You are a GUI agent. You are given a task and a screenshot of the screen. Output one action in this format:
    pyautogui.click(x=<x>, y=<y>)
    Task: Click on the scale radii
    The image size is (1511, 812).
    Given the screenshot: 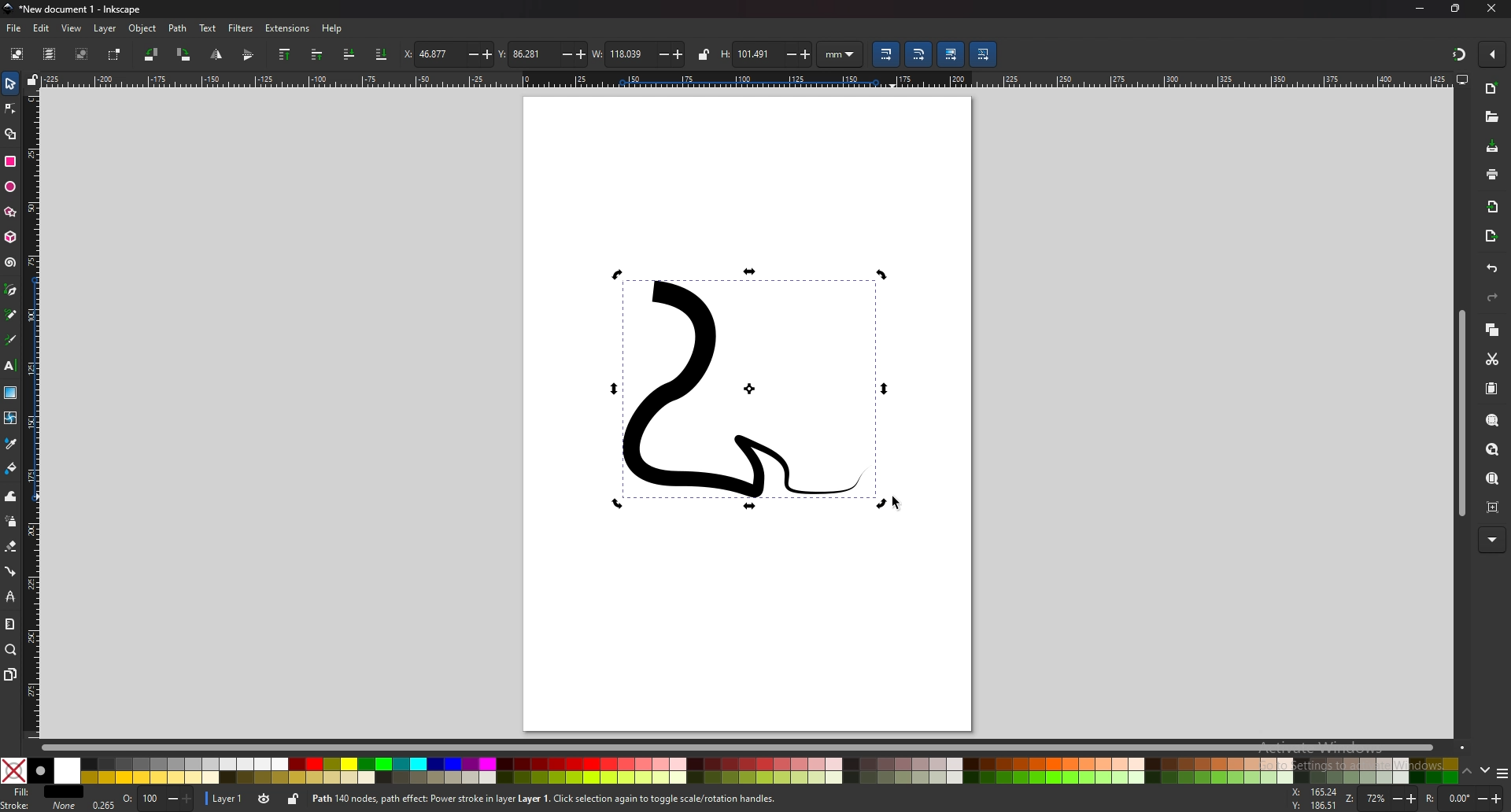 What is the action you would take?
    pyautogui.click(x=918, y=54)
    